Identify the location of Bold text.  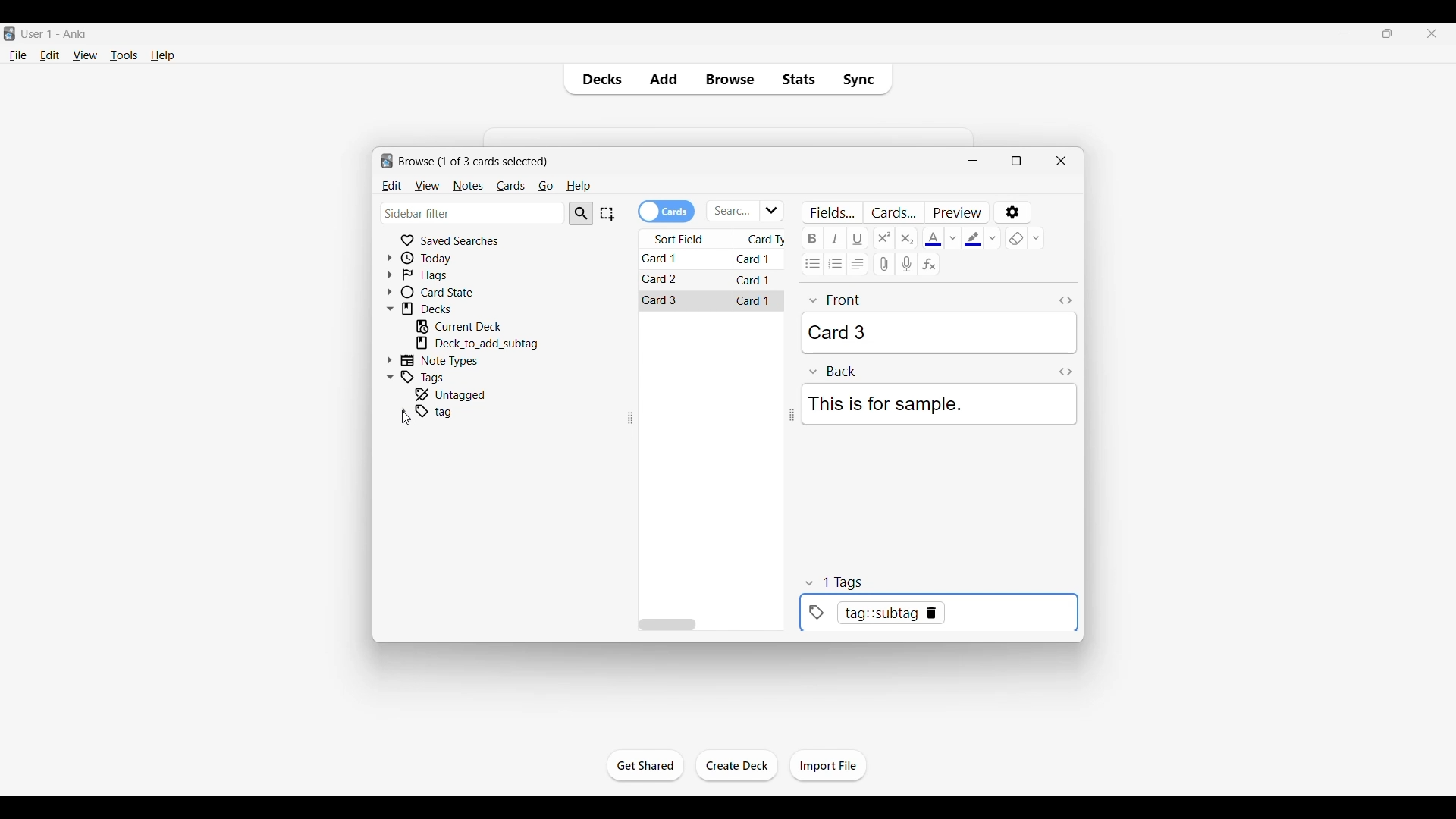
(812, 238).